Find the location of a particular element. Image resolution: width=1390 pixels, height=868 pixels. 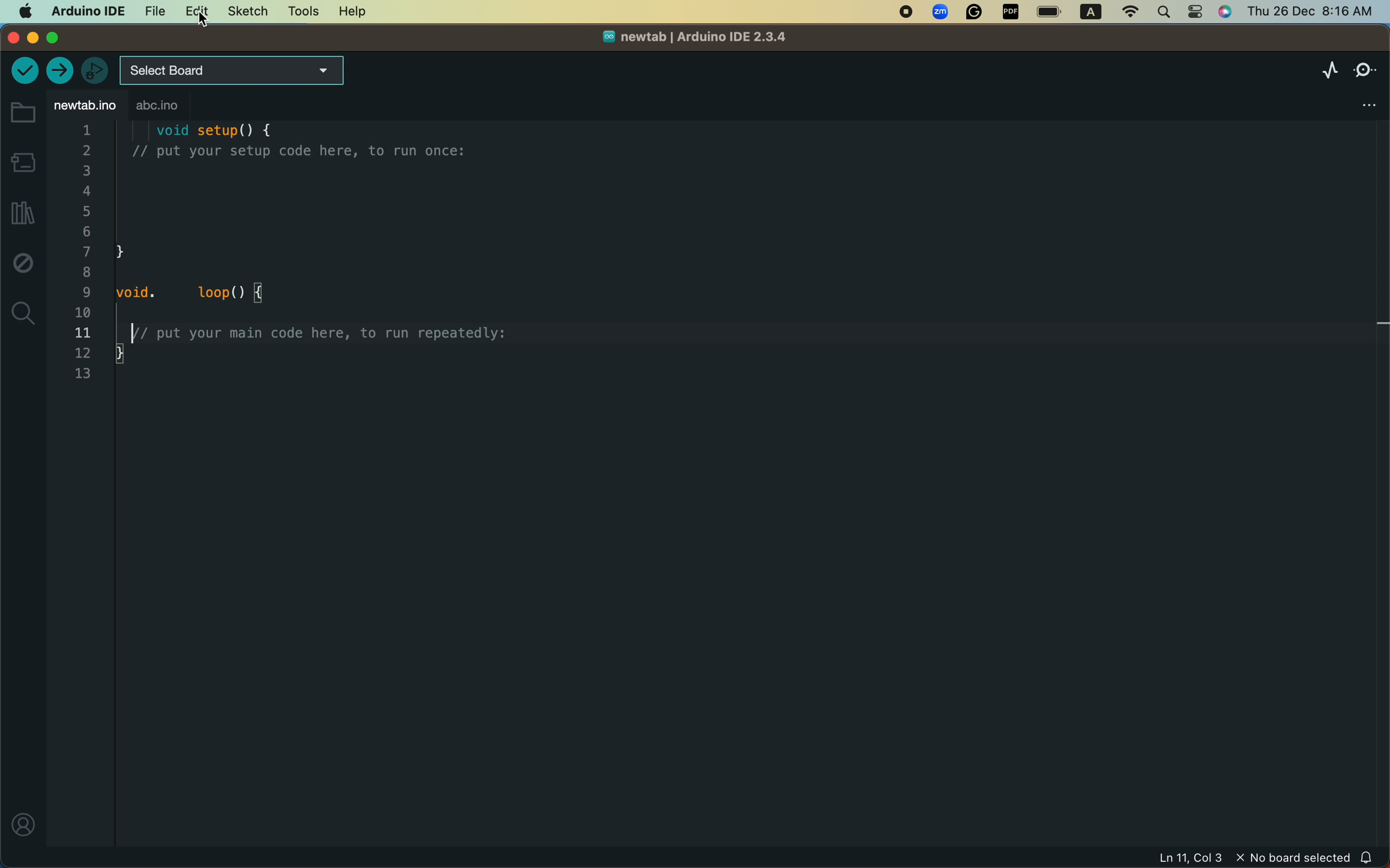

wifi is located at coordinates (1125, 12).